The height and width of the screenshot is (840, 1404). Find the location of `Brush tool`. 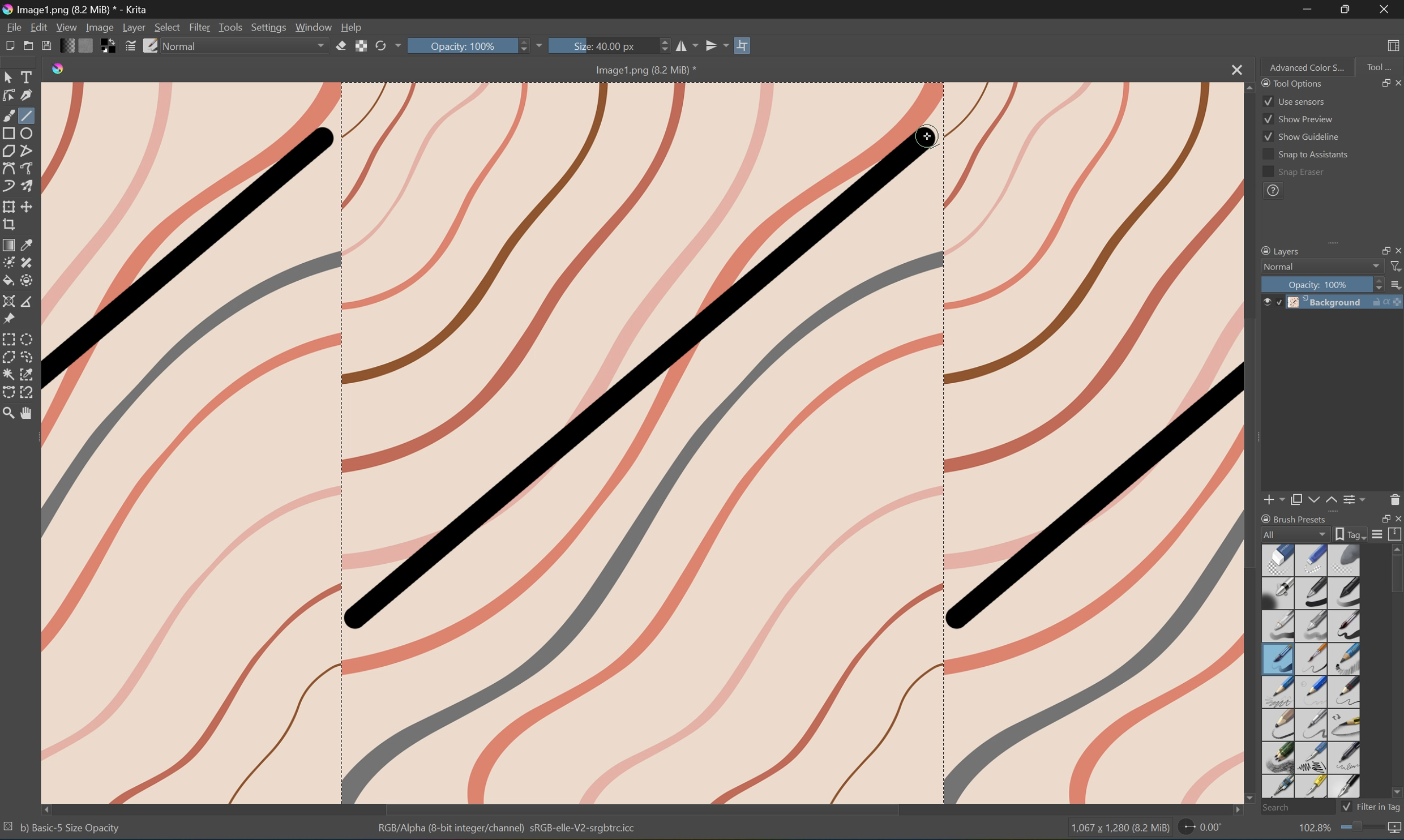

Brush tool is located at coordinates (9, 114).